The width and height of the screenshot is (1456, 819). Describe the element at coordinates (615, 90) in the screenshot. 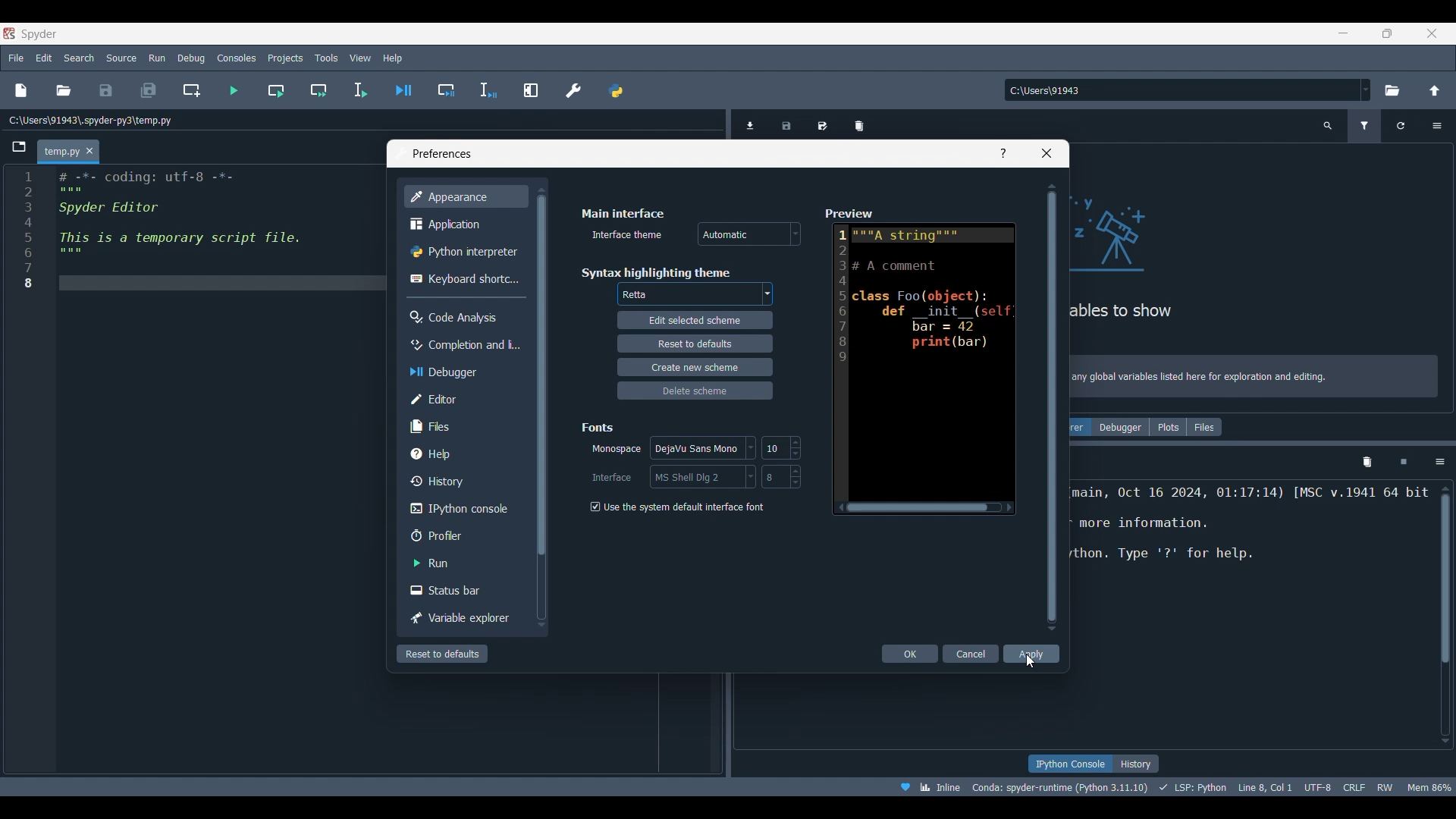

I see `PYTHONPATH manager` at that location.